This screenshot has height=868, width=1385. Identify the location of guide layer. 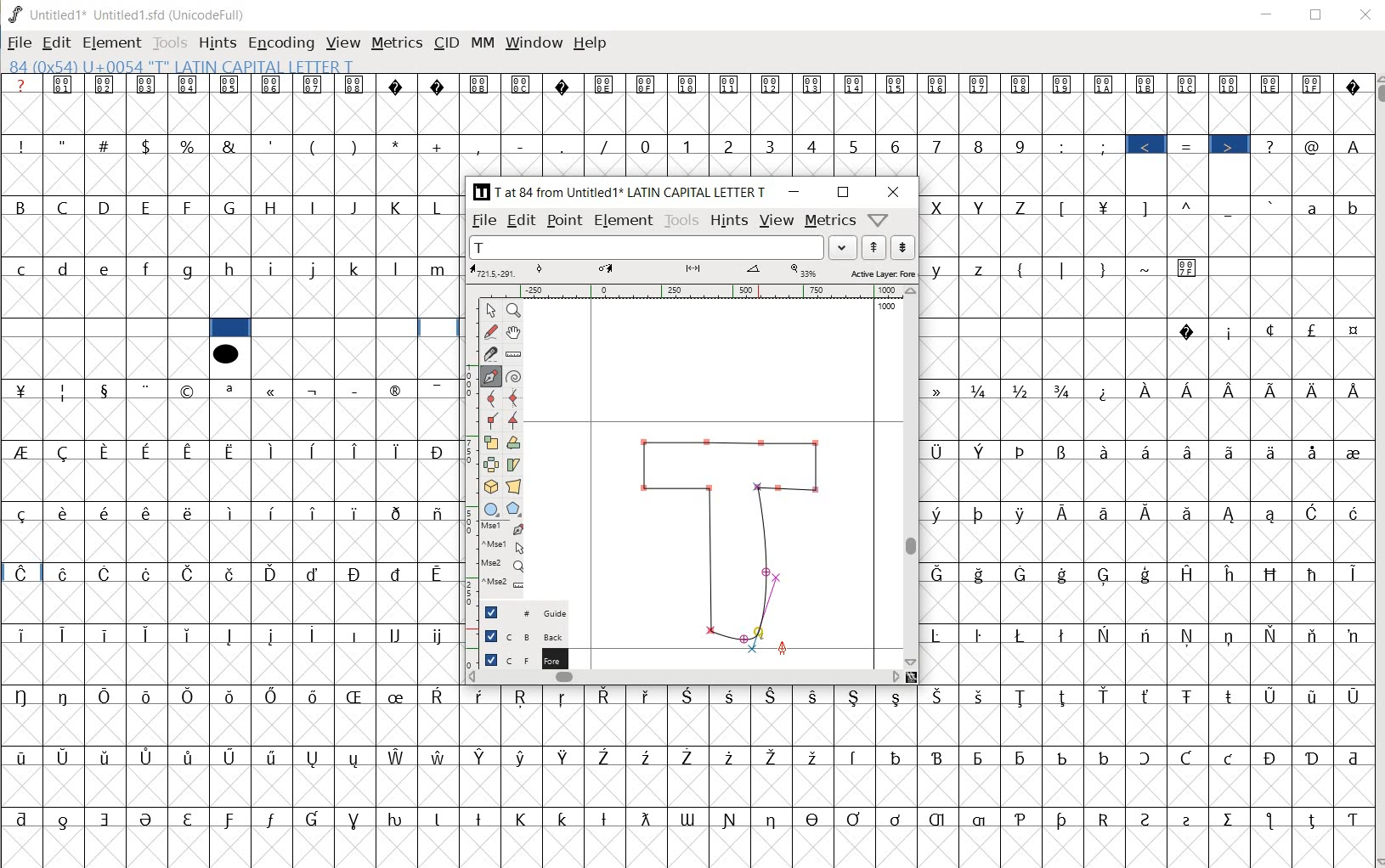
(524, 612).